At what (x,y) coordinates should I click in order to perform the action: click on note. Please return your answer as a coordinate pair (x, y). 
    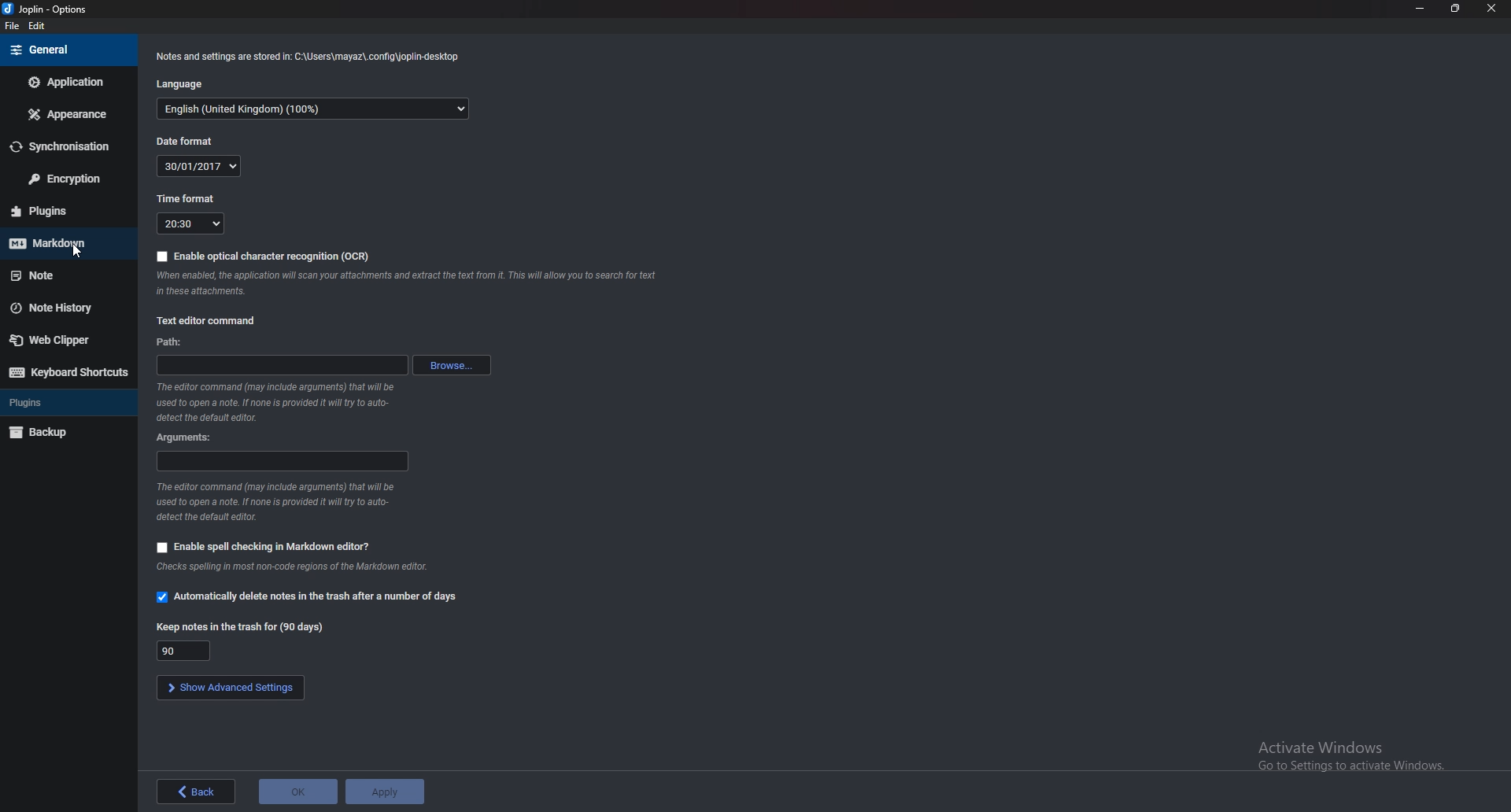
    Looking at the image, I should click on (61, 273).